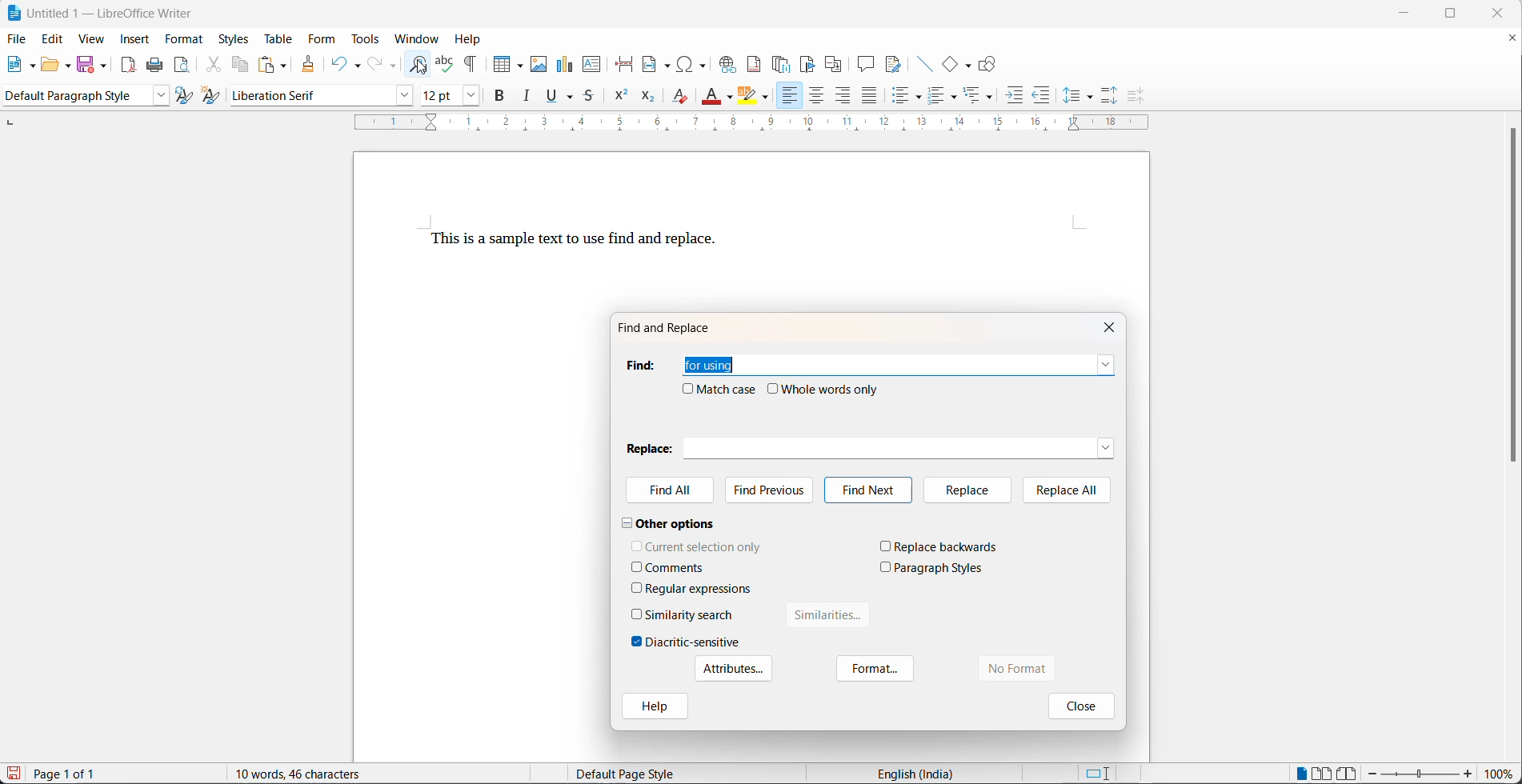  I want to click on underline options, so click(571, 98).